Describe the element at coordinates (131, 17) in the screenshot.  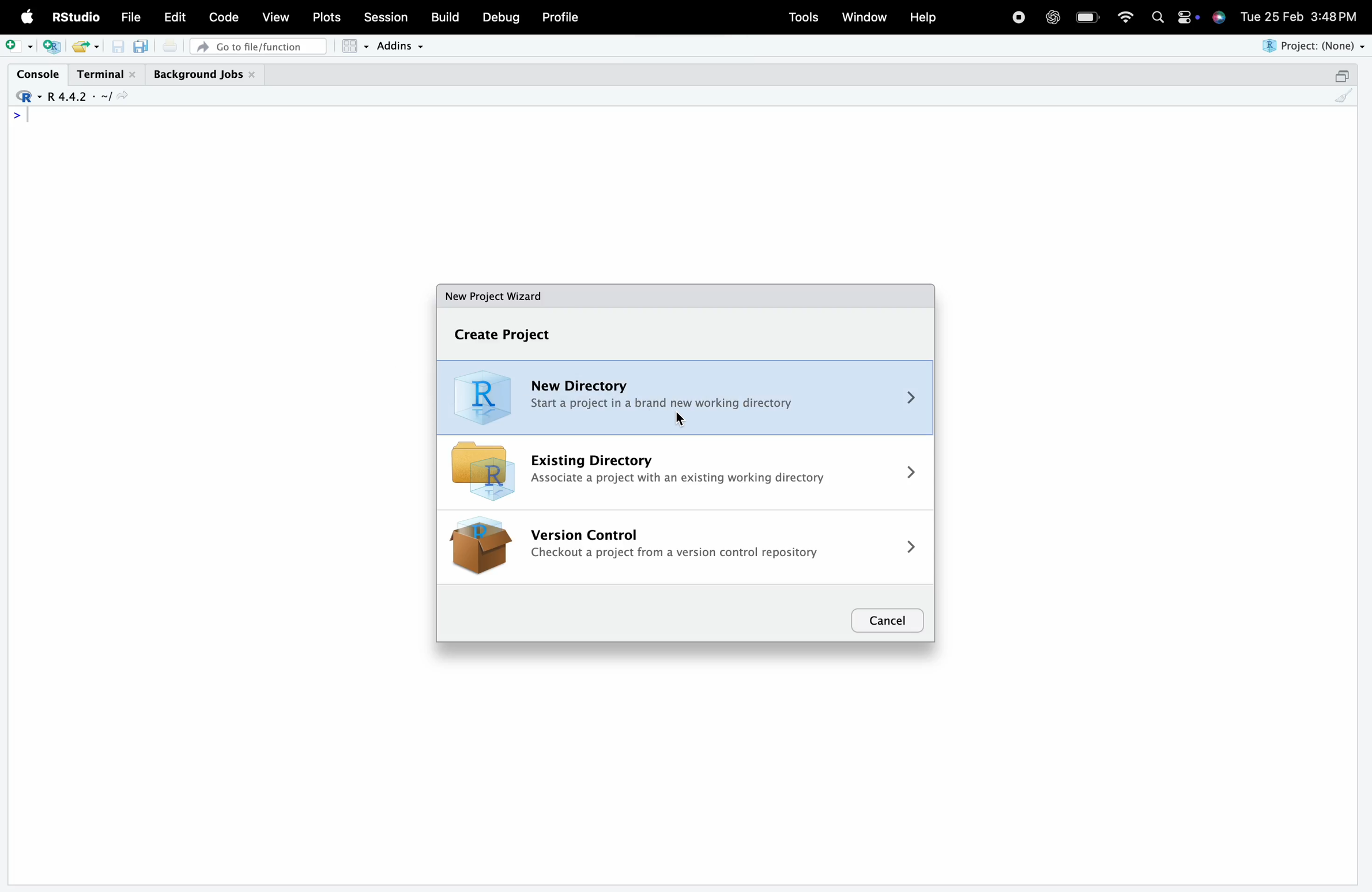
I see `File` at that location.